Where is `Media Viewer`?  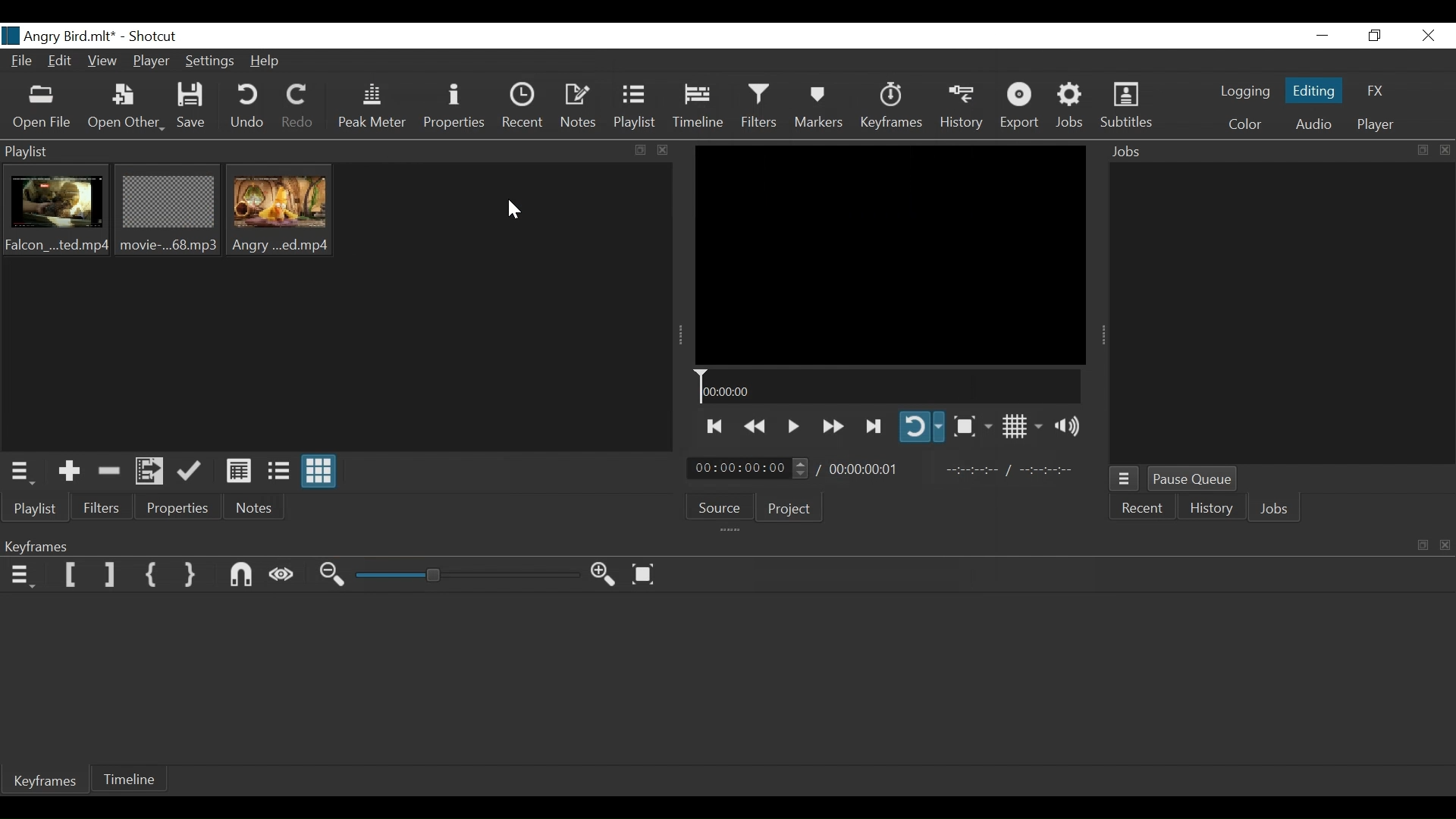
Media Viewer is located at coordinates (890, 254).